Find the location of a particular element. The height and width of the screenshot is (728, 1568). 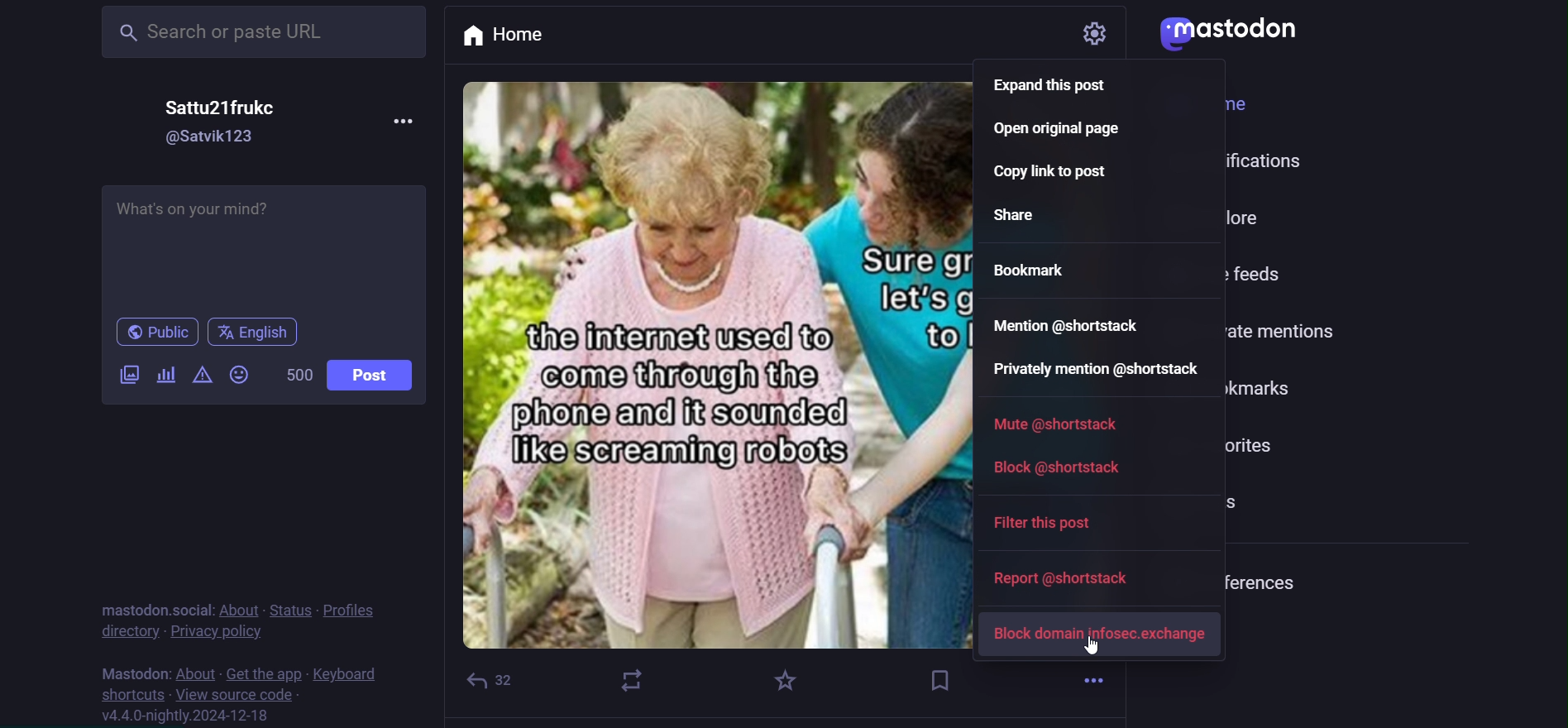

source code is located at coordinates (237, 697).